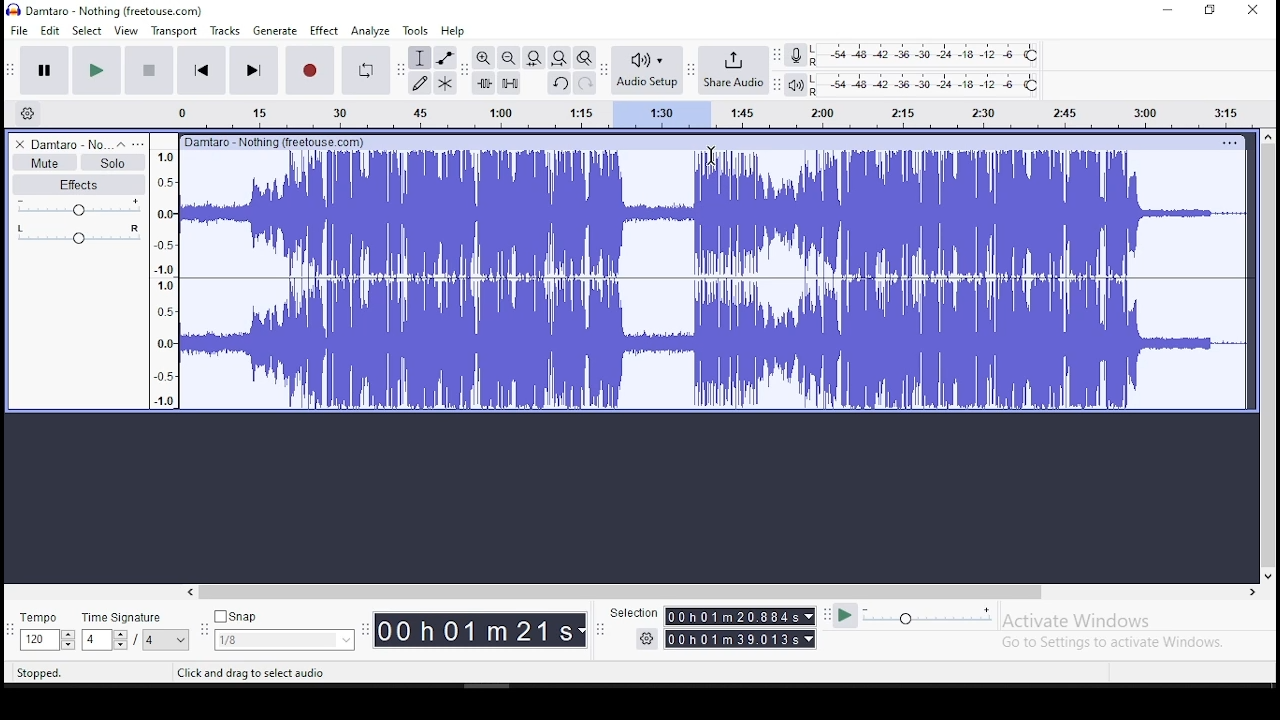 The width and height of the screenshot is (1280, 720). What do you see at coordinates (89, 30) in the screenshot?
I see `select` at bounding box center [89, 30].